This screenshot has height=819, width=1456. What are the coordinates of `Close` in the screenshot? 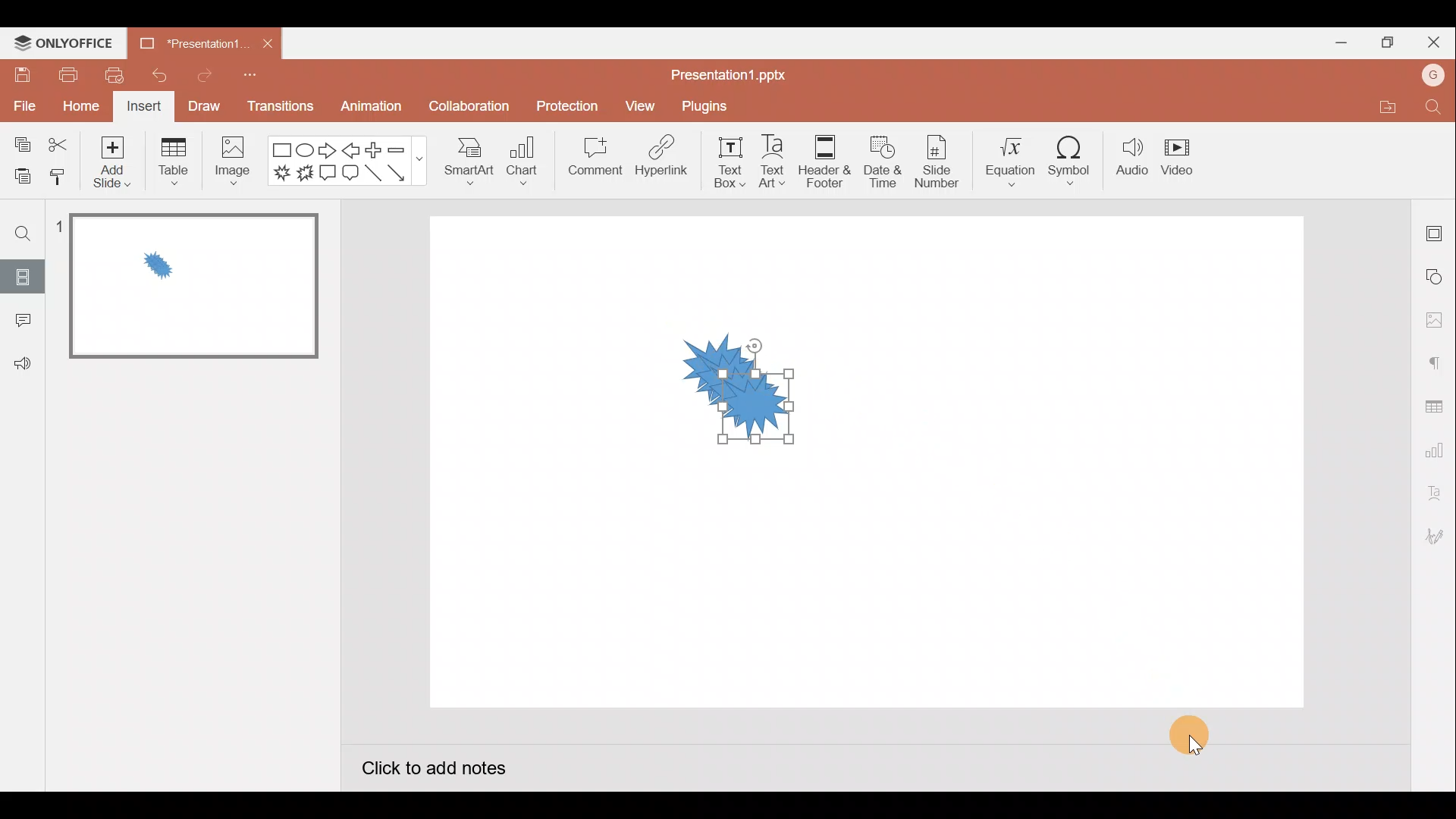 It's located at (270, 43).